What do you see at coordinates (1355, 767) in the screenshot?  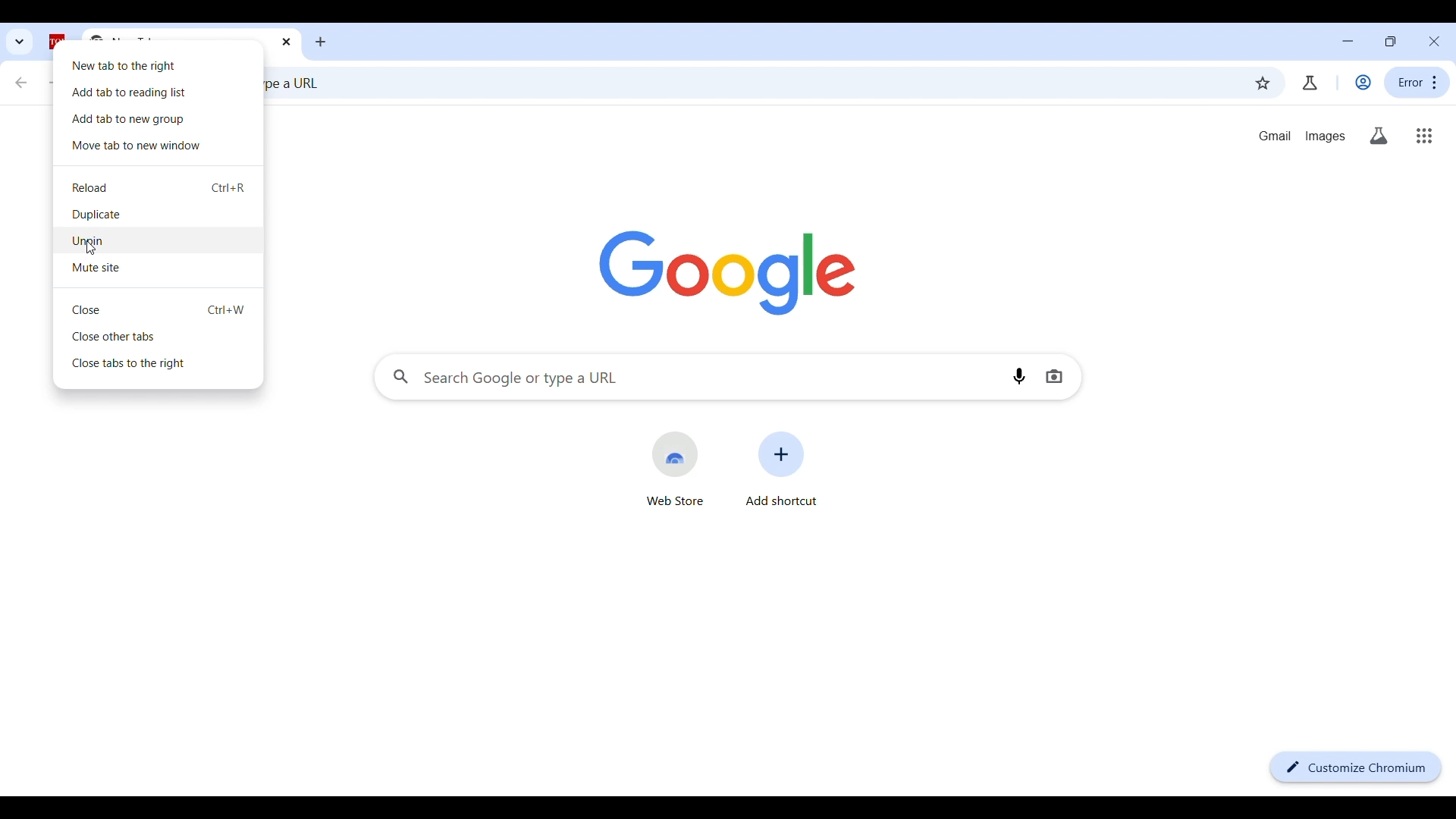 I see `Customize Chromium browser` at bounding box center [1355, 767].